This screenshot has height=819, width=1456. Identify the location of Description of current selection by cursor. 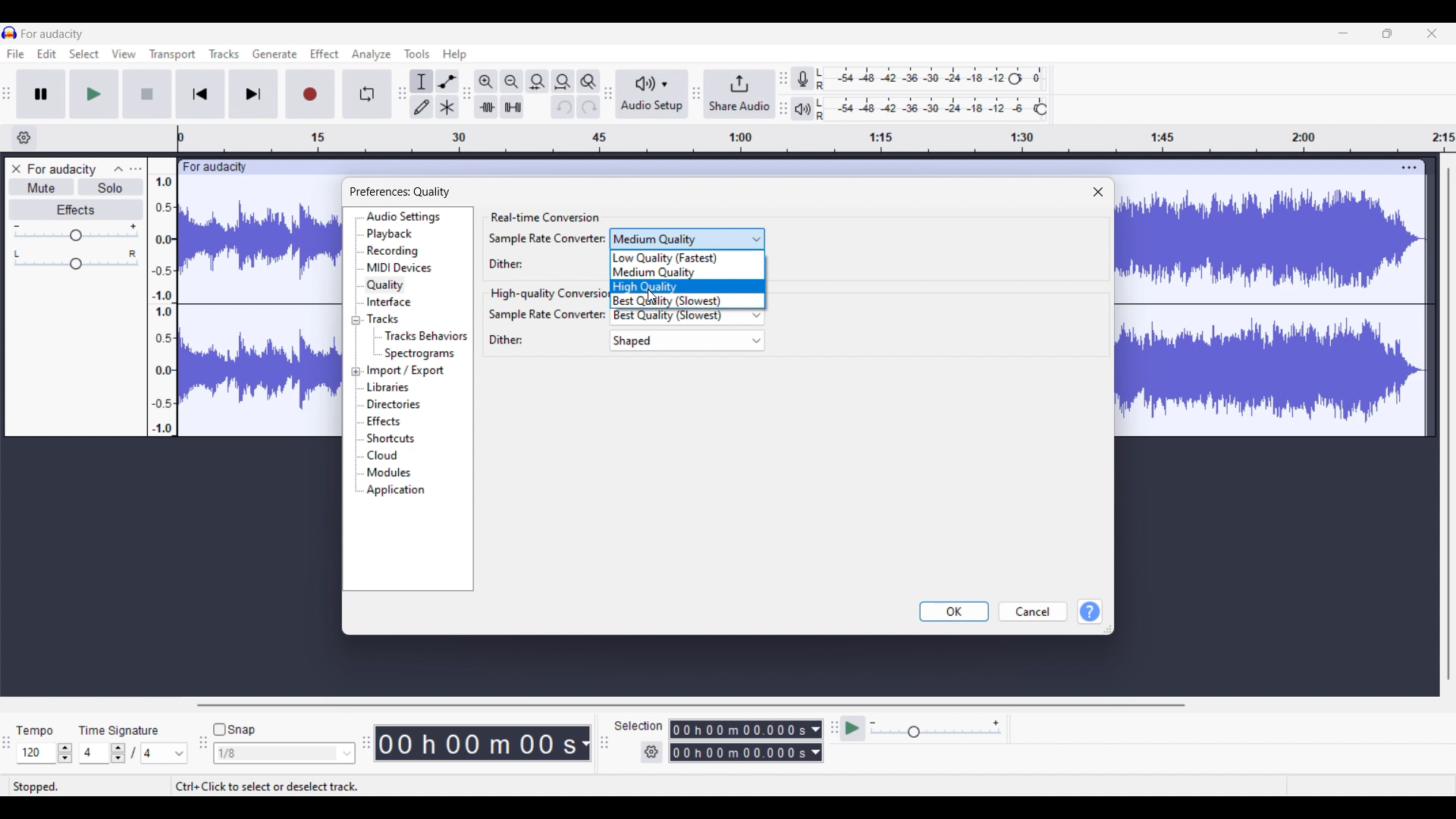
(267, 786).